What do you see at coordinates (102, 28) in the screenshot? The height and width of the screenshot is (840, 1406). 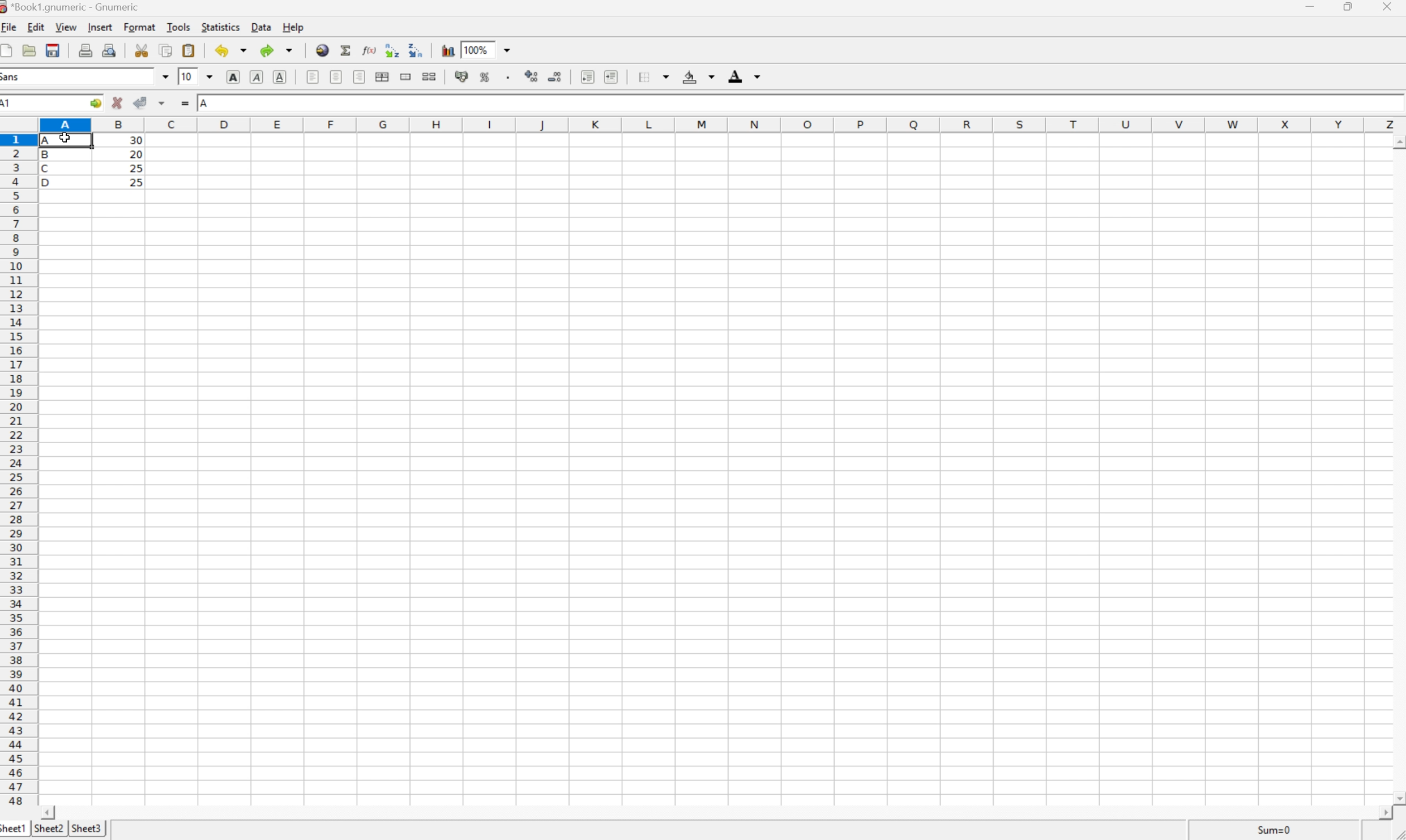 I see `Insert` at bounding box center [102, 28].